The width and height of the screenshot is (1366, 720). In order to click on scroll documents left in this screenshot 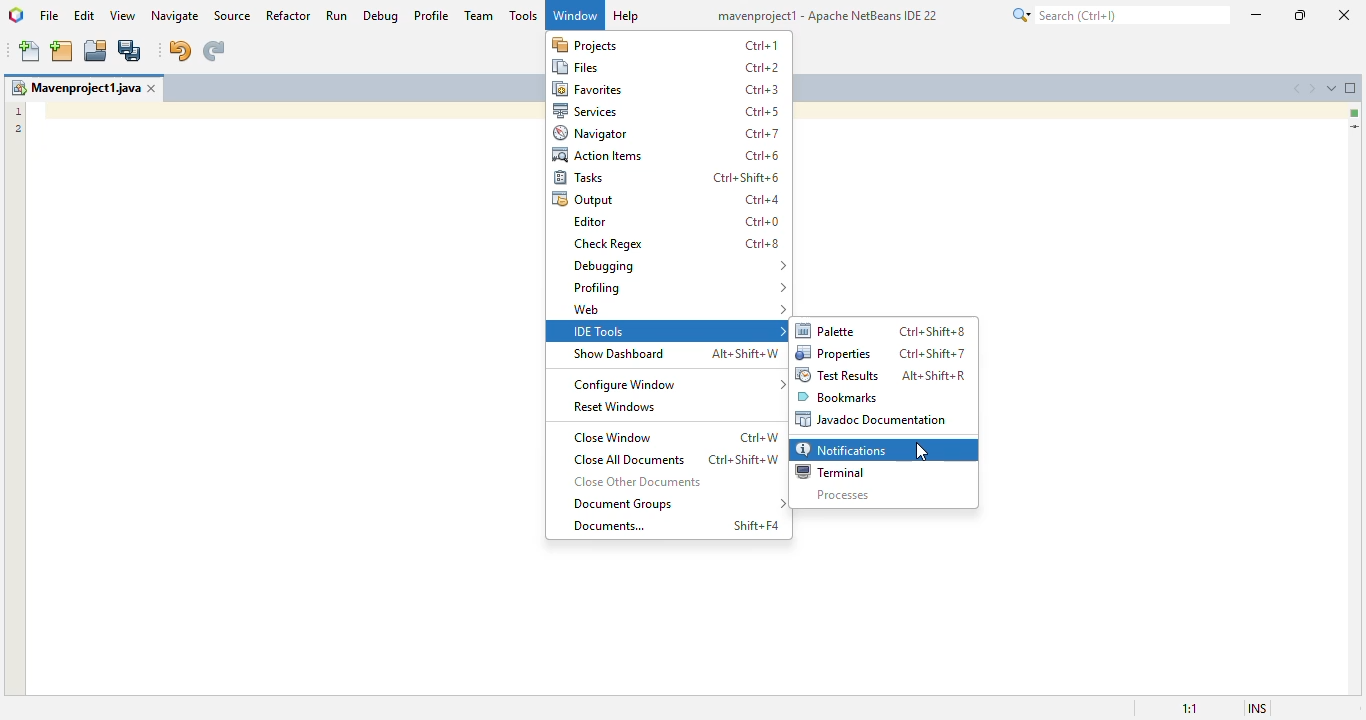, I will do `click(1297, 88)`.